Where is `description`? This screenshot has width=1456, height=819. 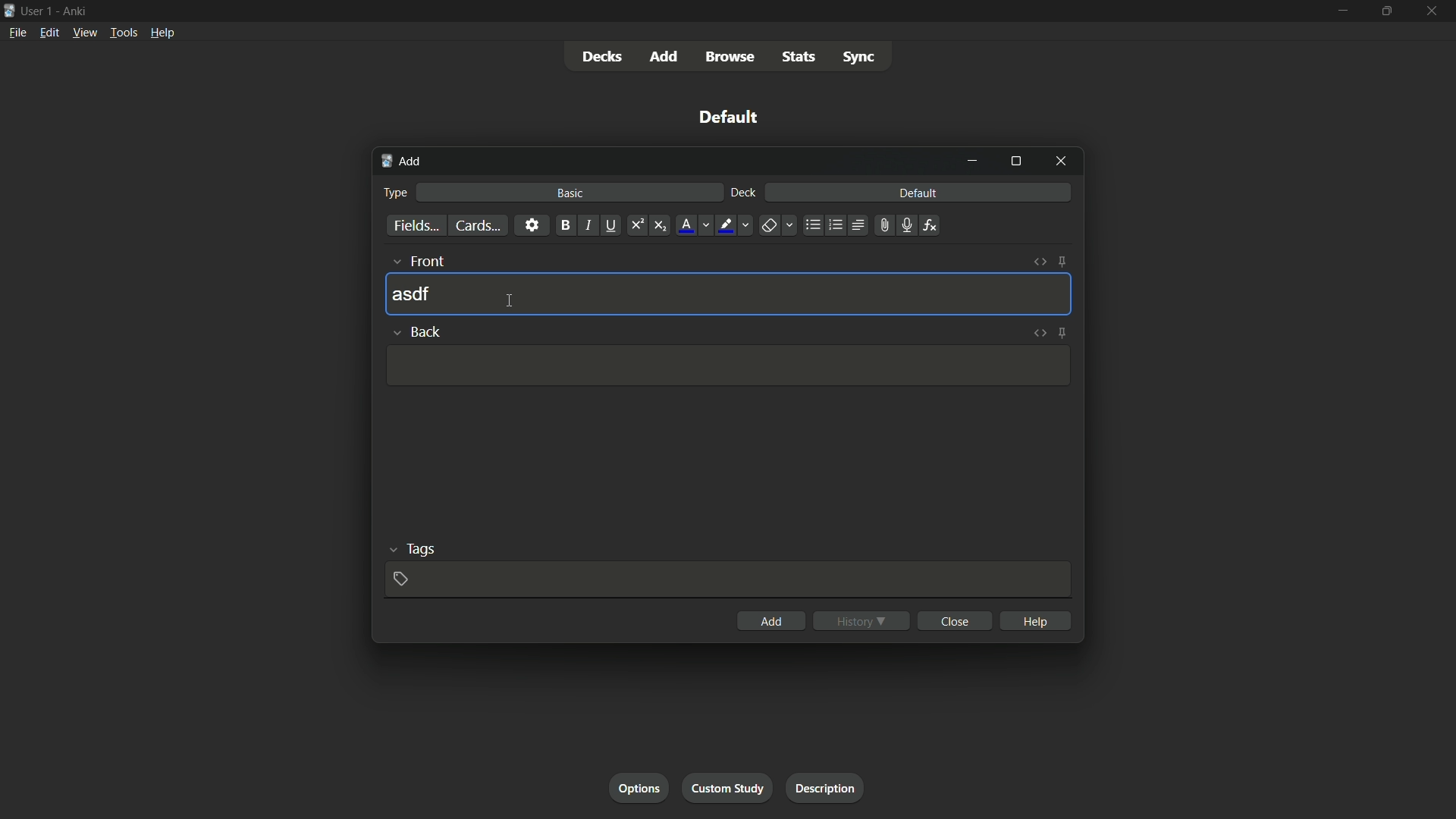 description is located at coordinates (826, 788).